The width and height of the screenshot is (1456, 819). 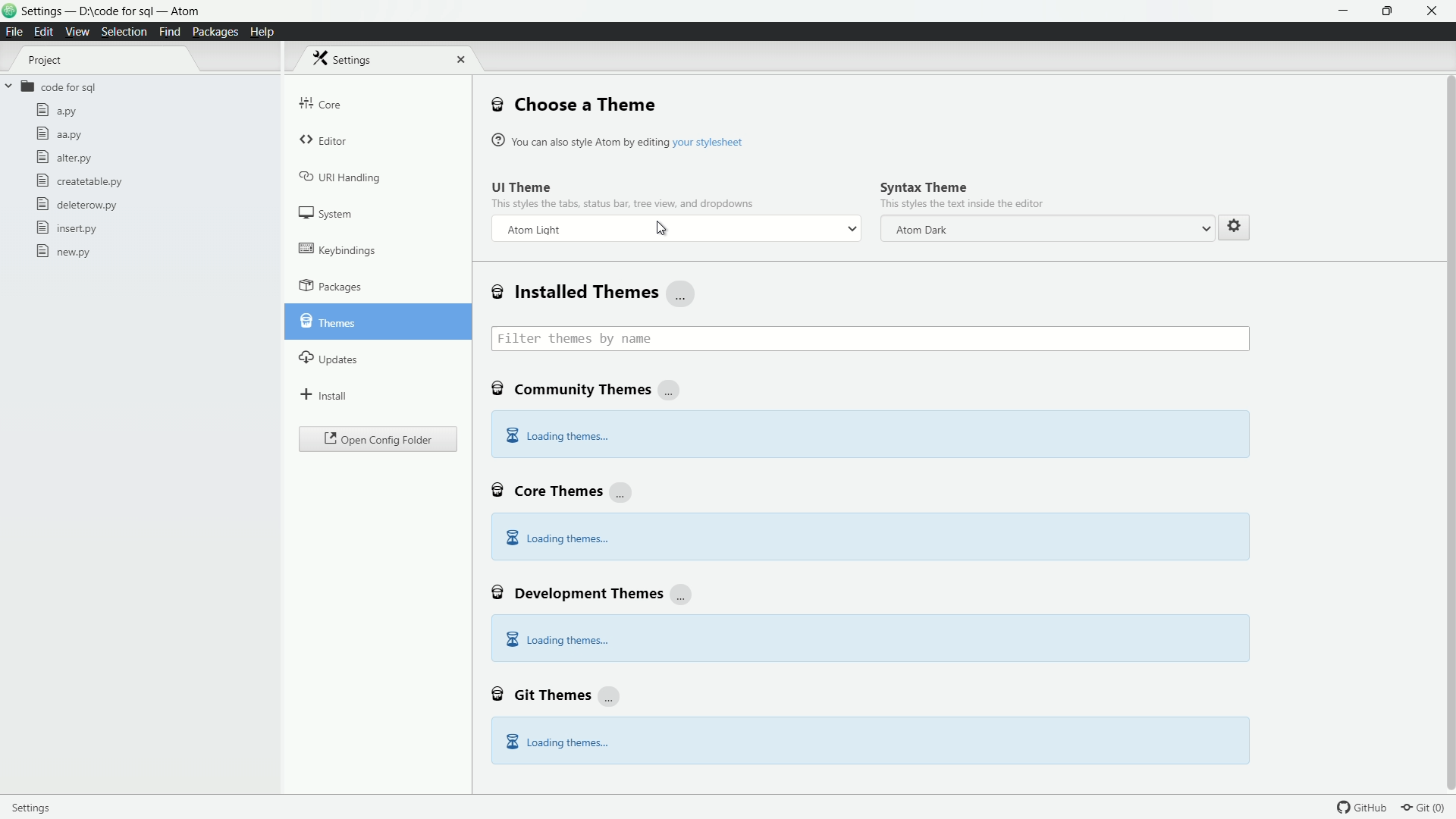 What do you see at coordinates (321, 103) in the screenshot?
I see `core` at bounding box center [321, 103].